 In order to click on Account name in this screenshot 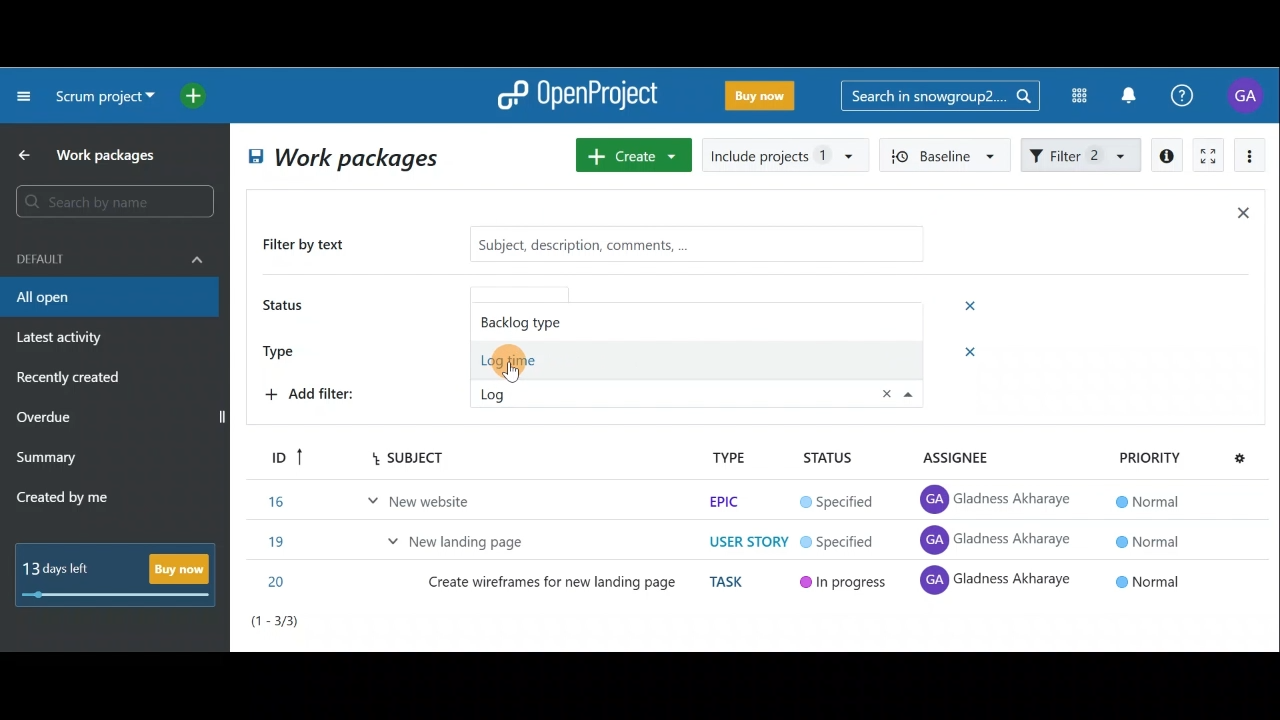, I will do `click(1248, 95)`.